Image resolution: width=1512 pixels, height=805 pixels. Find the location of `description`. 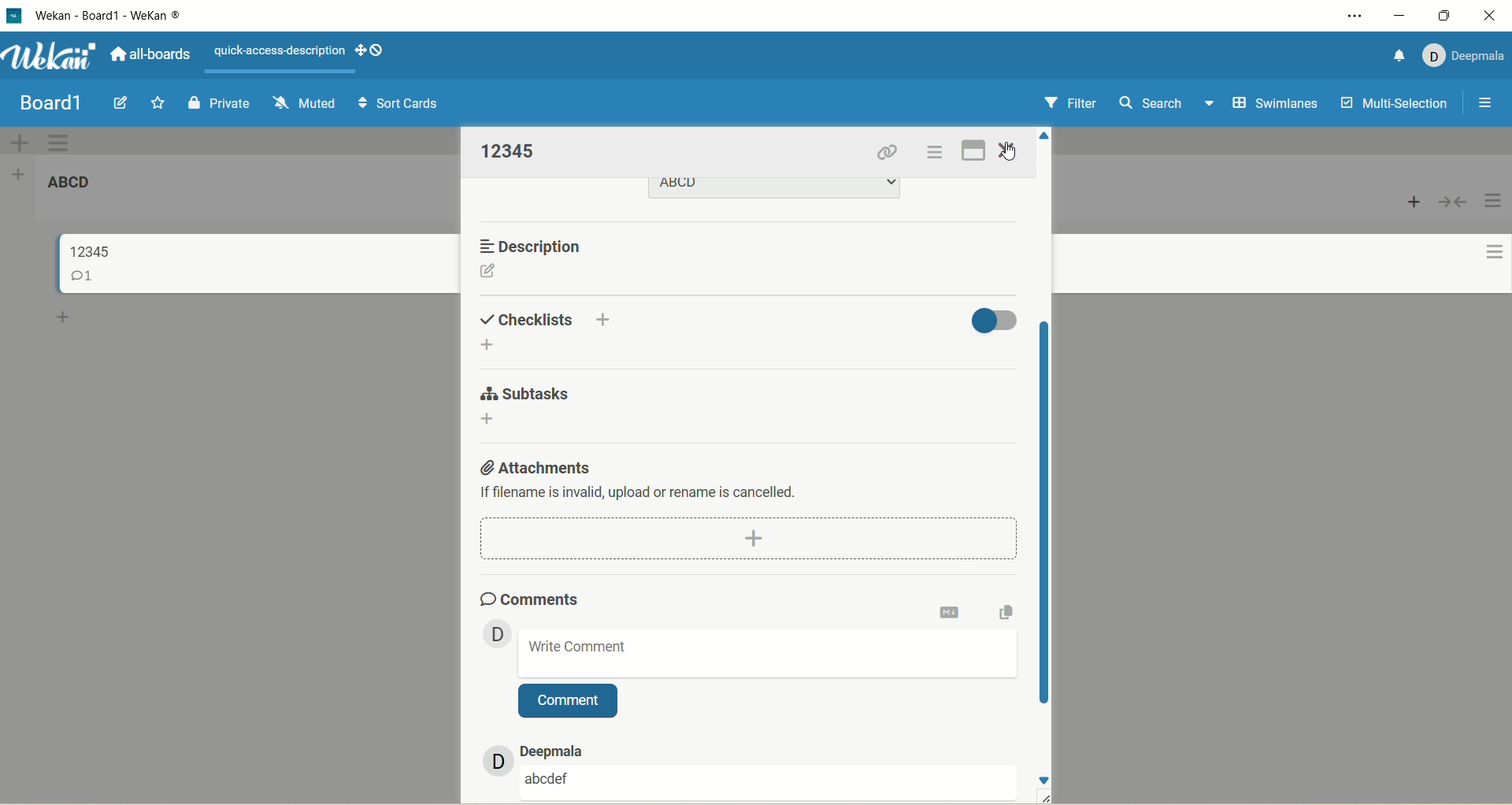

description is located at coordinates (536, 246).